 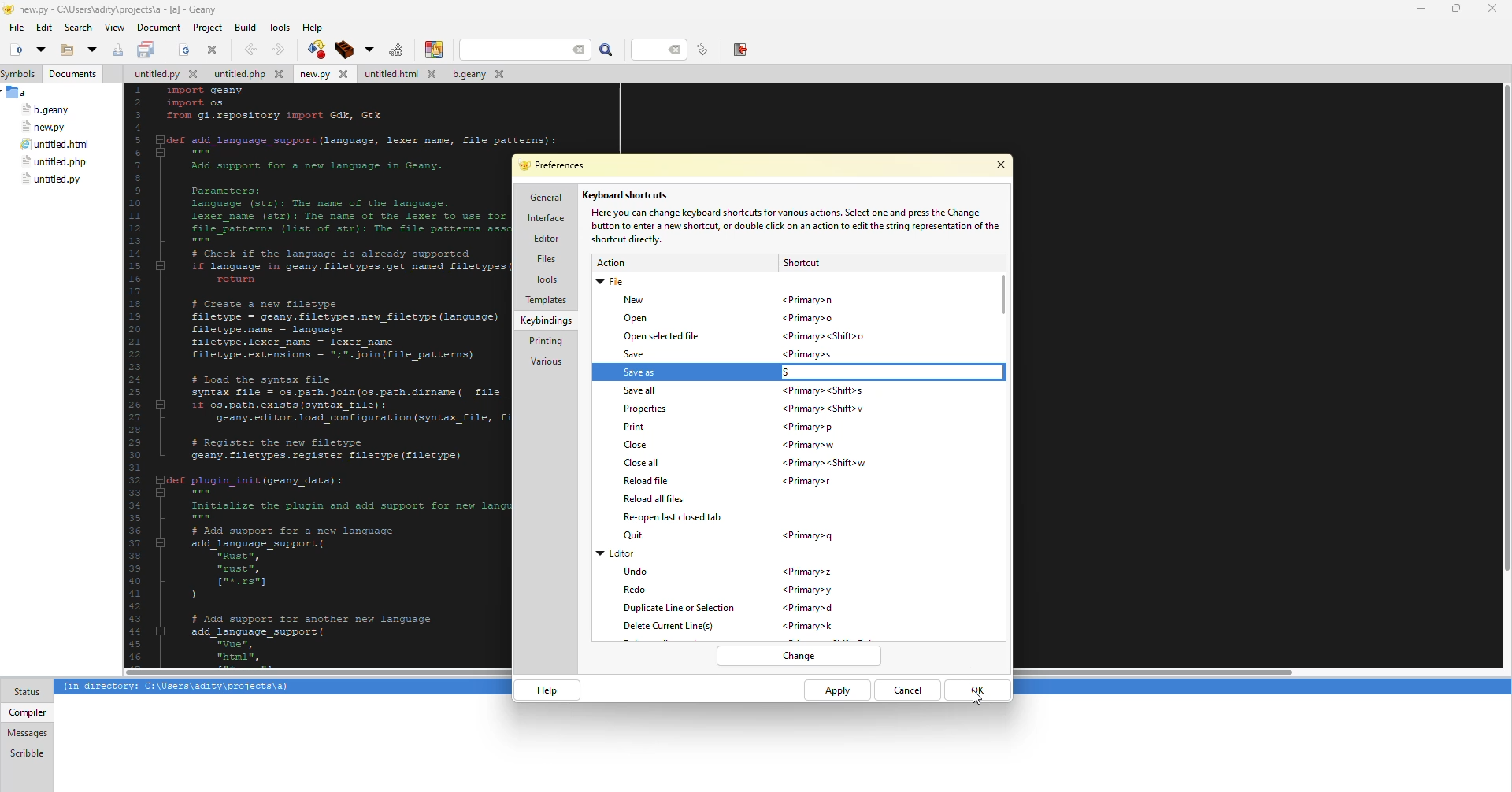 What do you see at coordinates (825, 339) in the screenshot?
I see `shortcut` at bounding box center [825, 339].